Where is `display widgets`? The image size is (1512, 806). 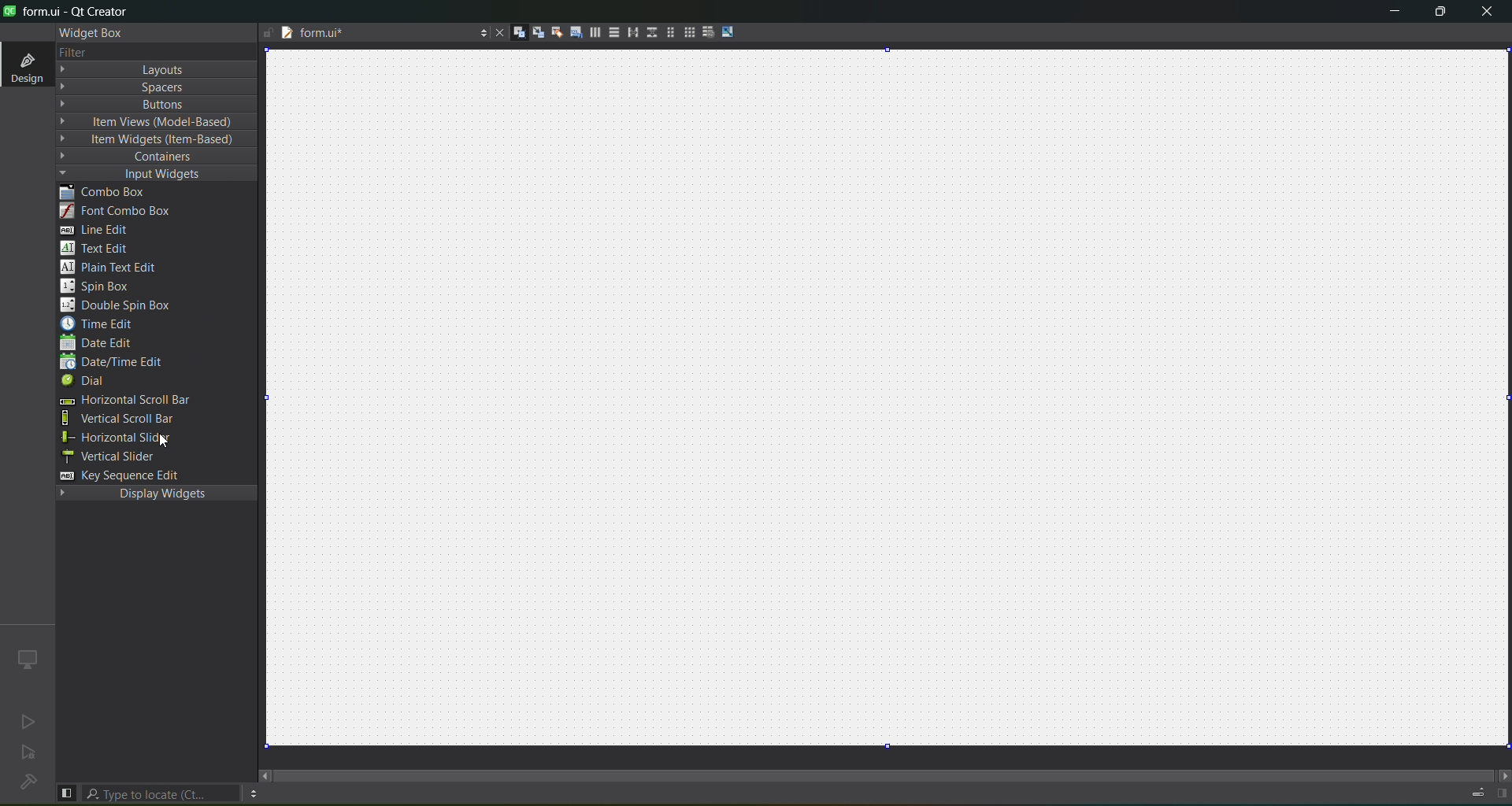
display widgets is located at coordinates (153, 497).